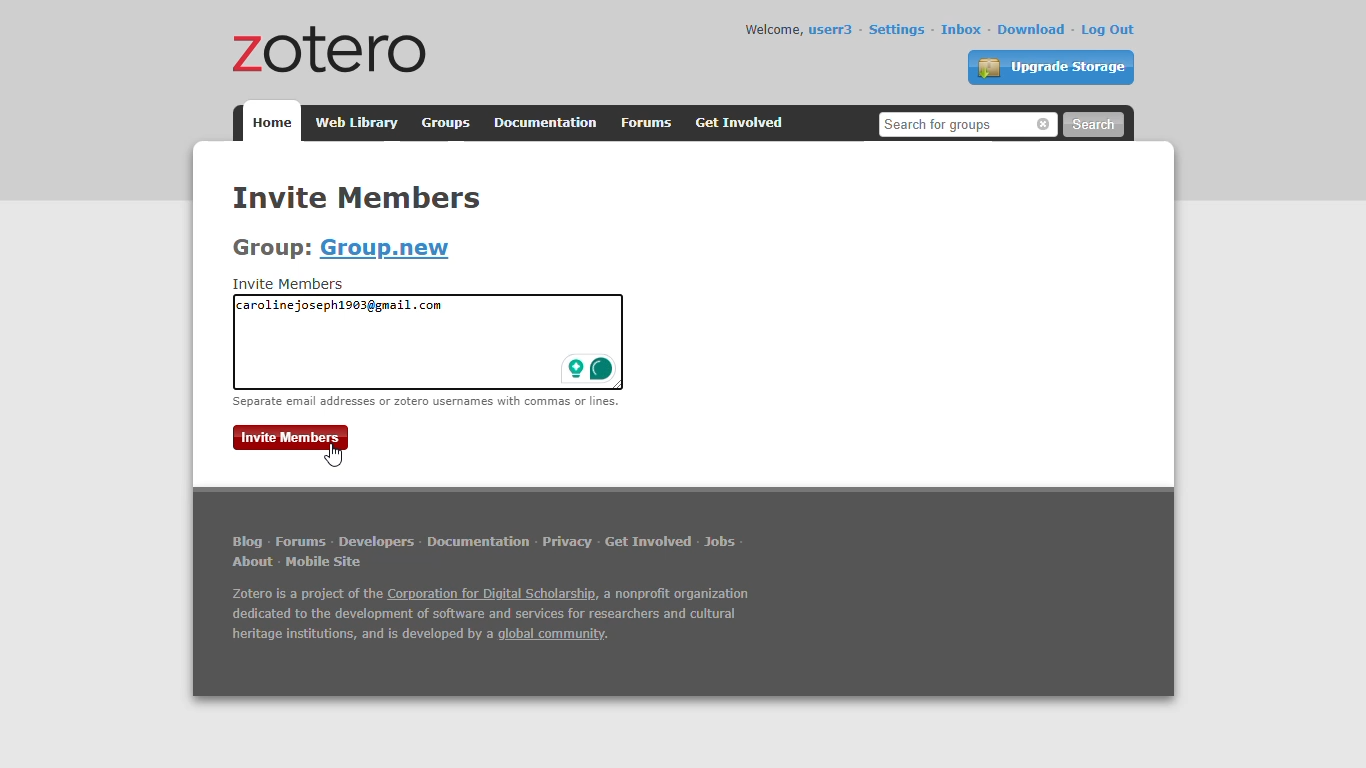 The width and height of the screenshot is (1366, 768). I want to click on privacy, so click(566, 542).